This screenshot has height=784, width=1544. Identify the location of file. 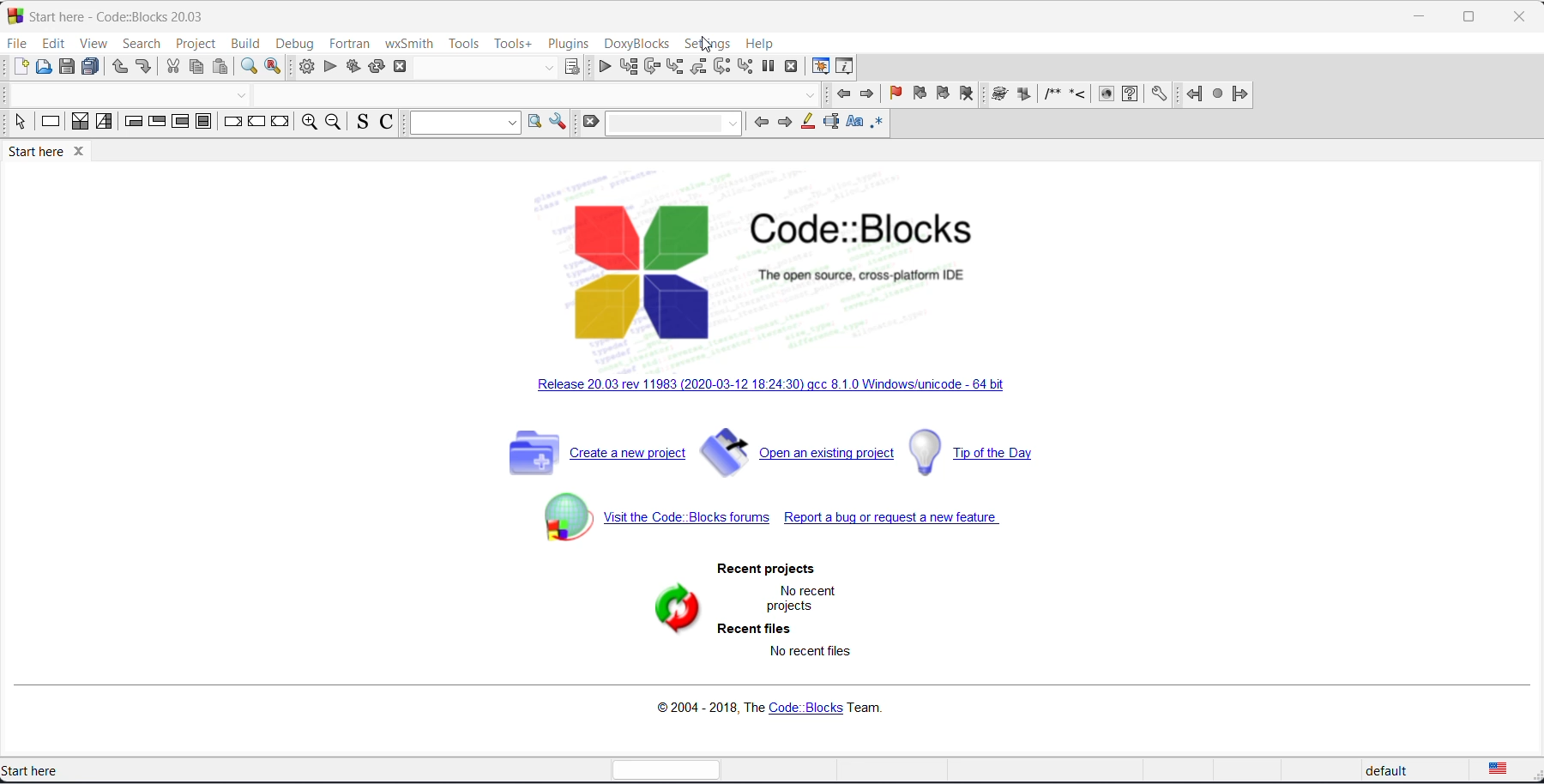
(19, 44).